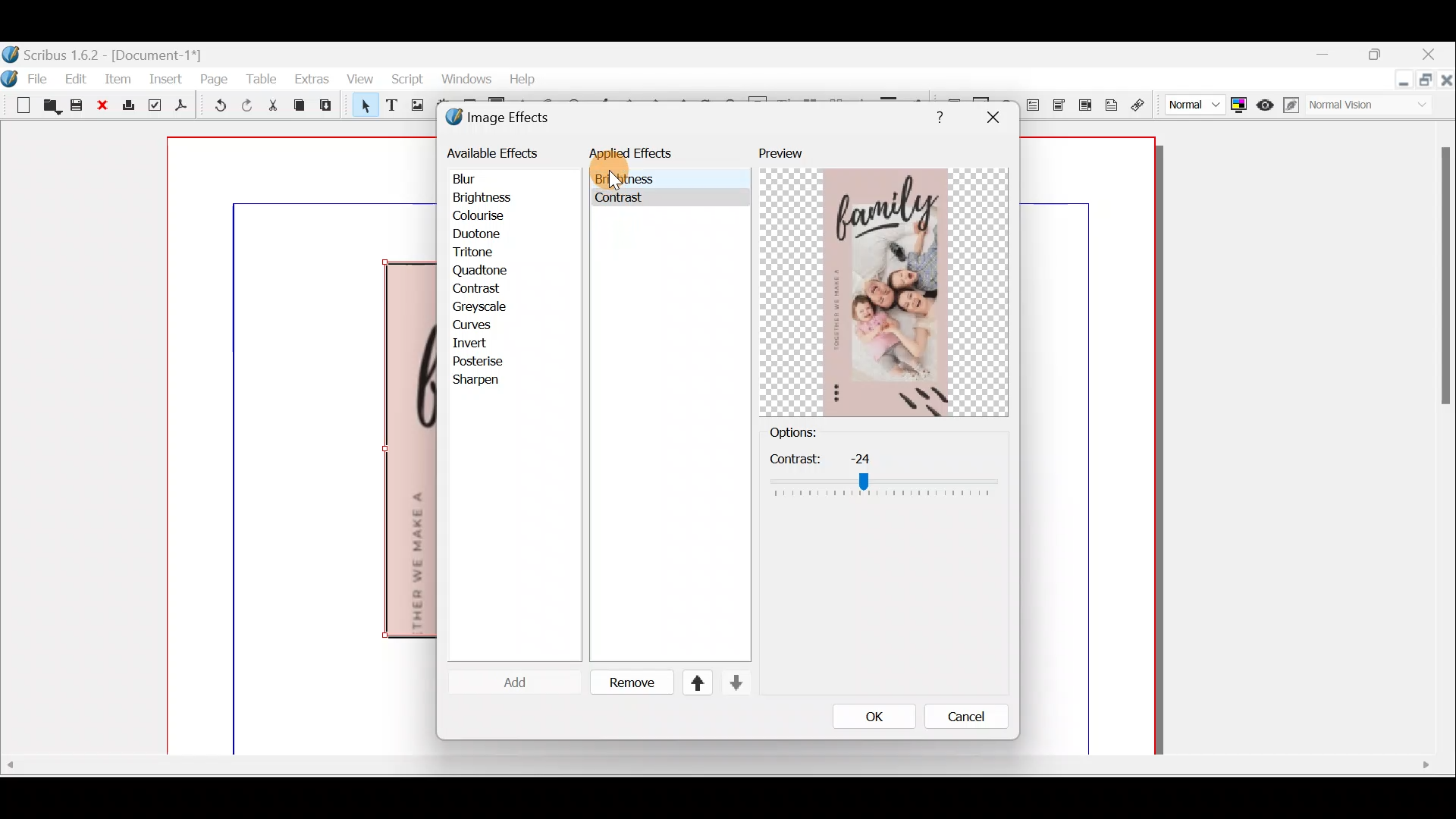 The height and width of the screenshot is (819, 1456). Describe the element at coordinates (49, 108) in the screenshot. I see `Open` at that location.